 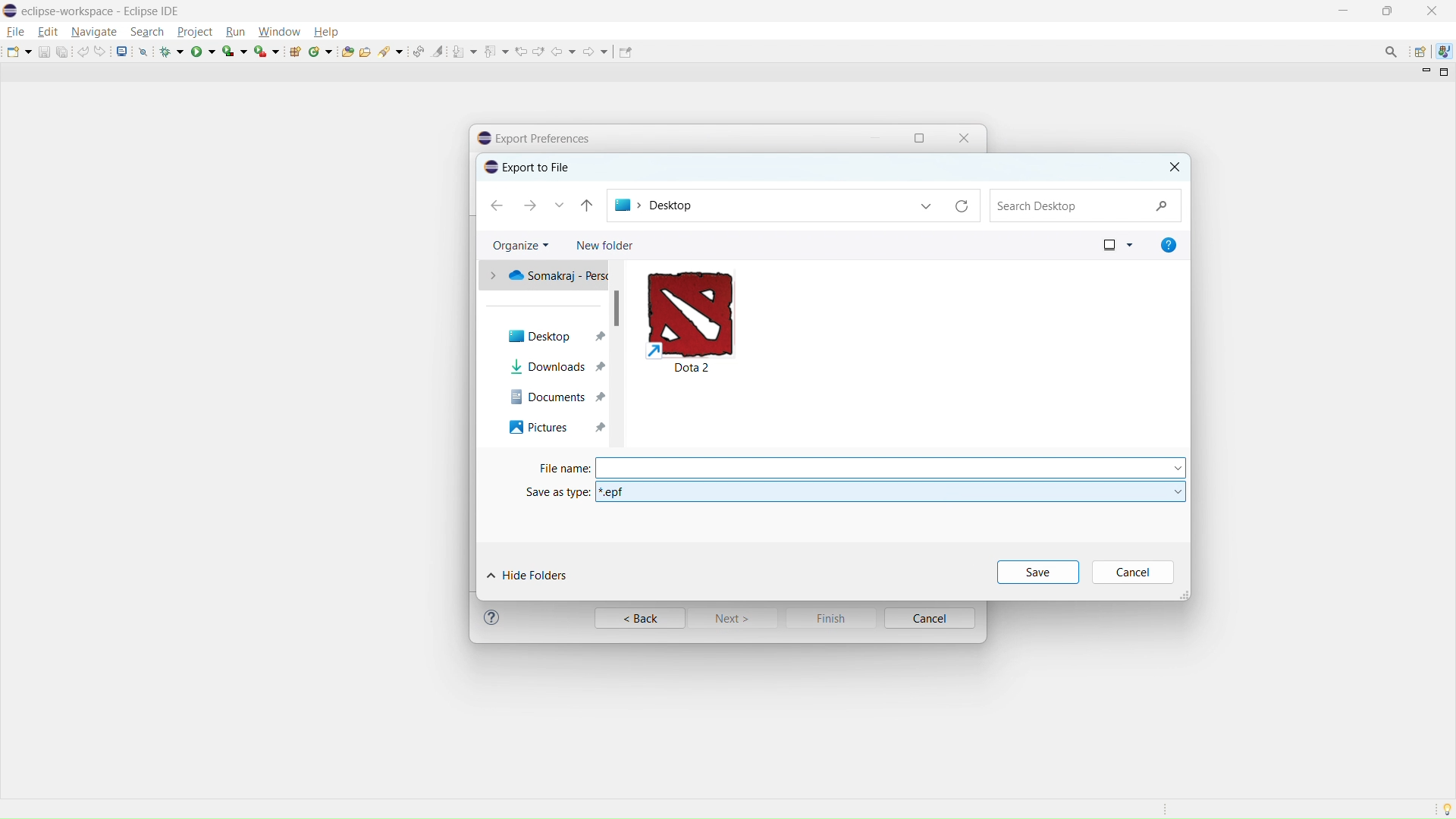 What do you see at coordinates (521, 52) in the screenshot?
I see `view previous location` at bounding box center [521, 52].